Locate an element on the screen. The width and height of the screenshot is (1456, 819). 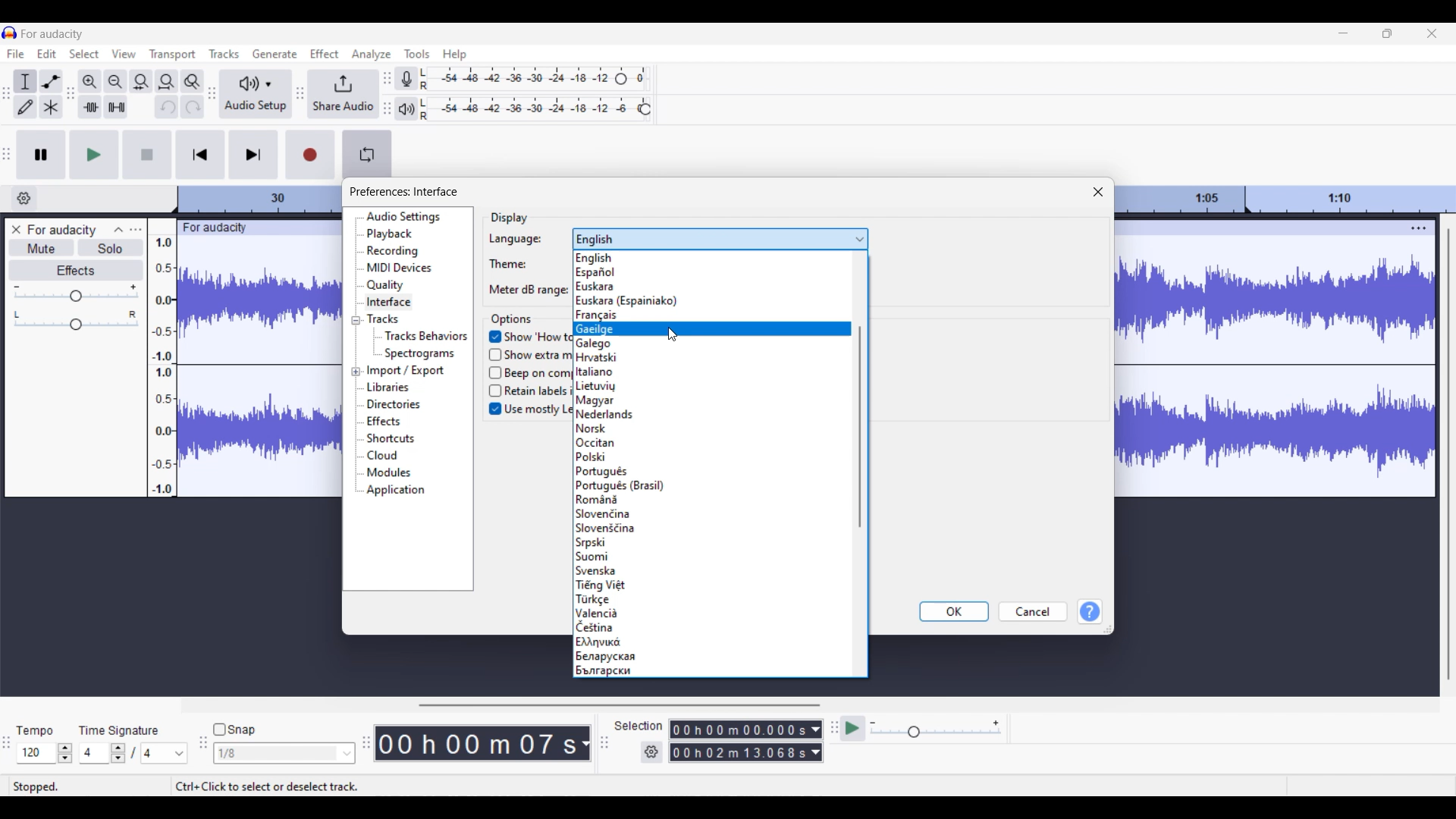
Change dimension of window is located at coordinates (1109, 629).